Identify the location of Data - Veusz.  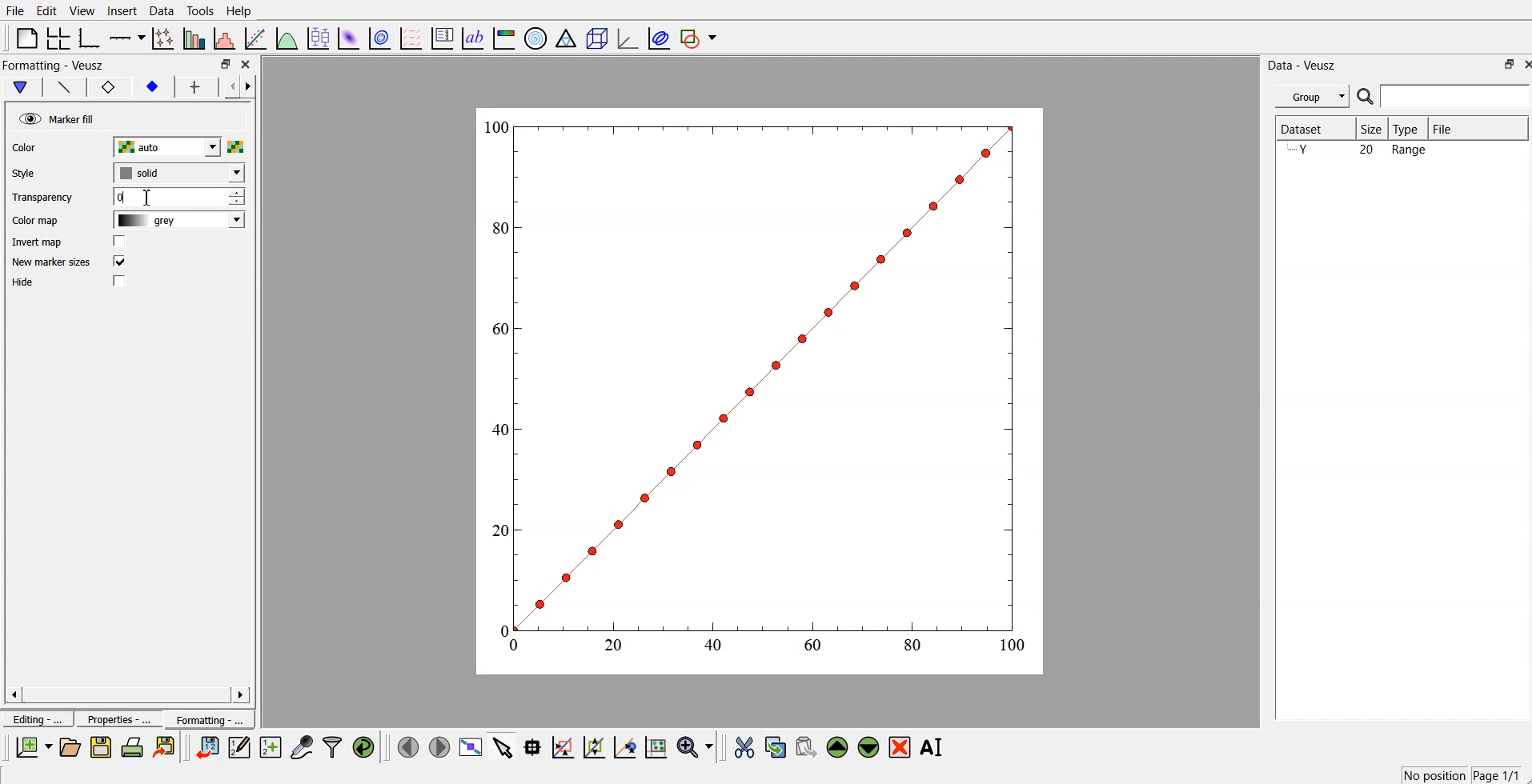
(1308, 64).